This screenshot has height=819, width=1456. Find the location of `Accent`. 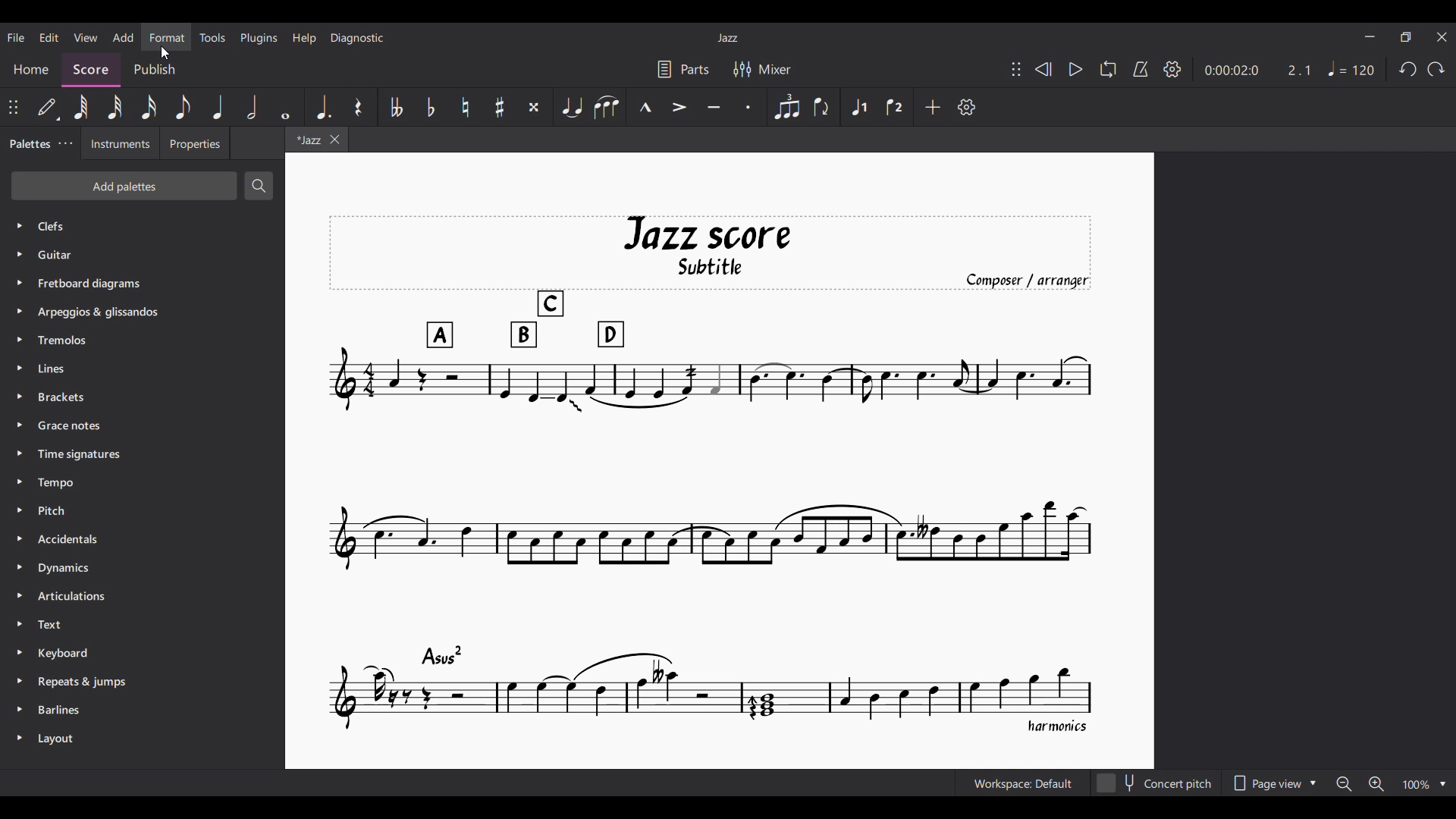

Accent is located at coordinates (680, 106).